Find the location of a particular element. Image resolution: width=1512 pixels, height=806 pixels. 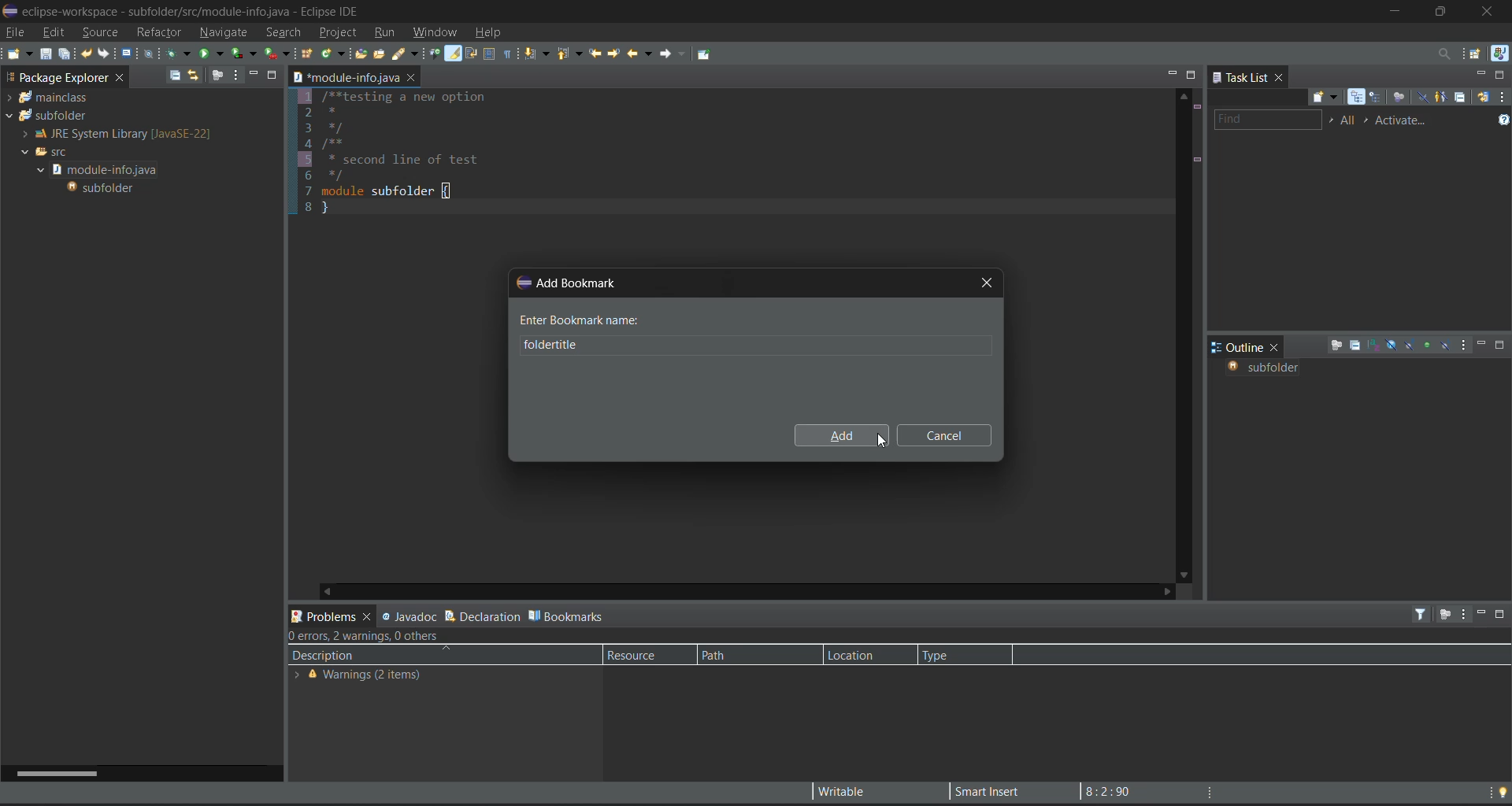

view menu is located at coordinates (1503, 96).